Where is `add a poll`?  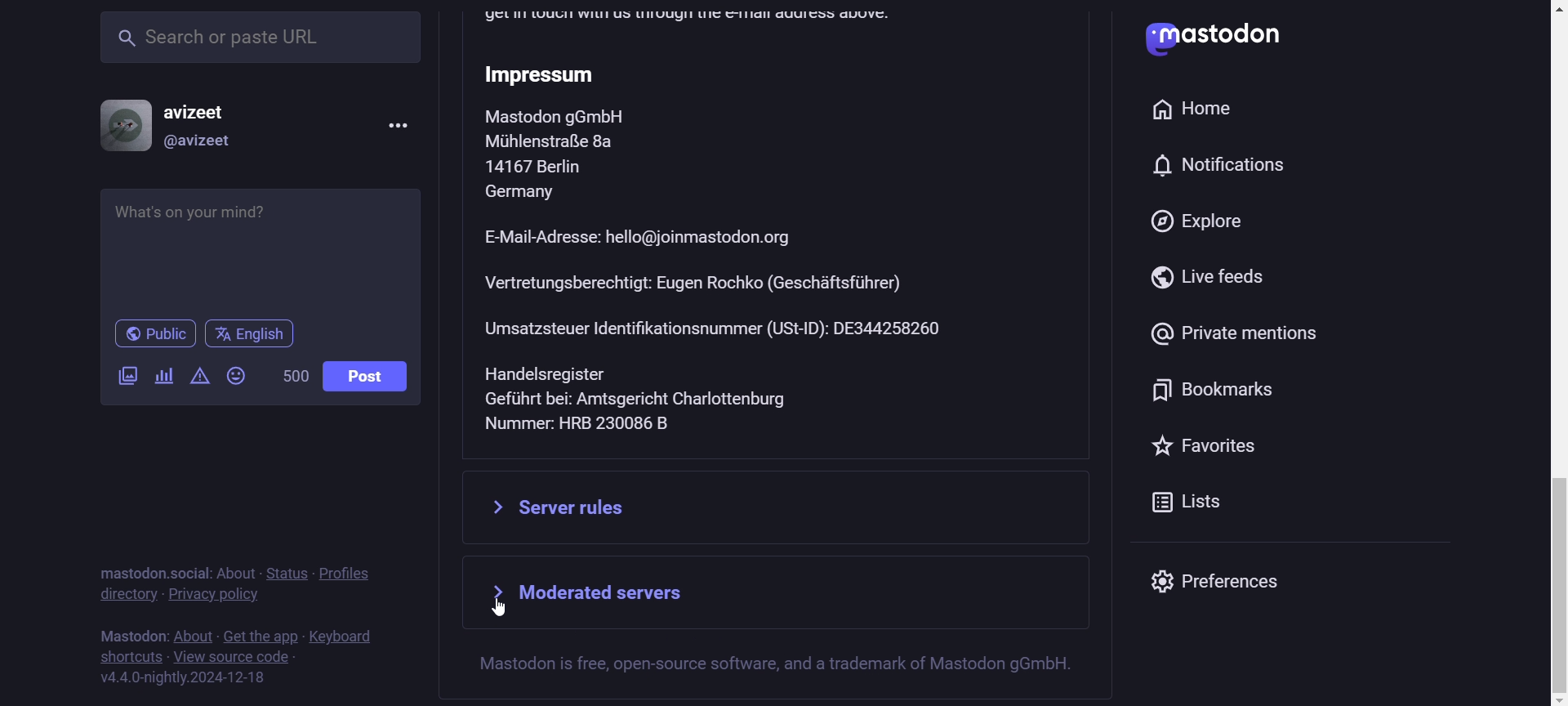
add a poll is located at coordinates (161, 377).